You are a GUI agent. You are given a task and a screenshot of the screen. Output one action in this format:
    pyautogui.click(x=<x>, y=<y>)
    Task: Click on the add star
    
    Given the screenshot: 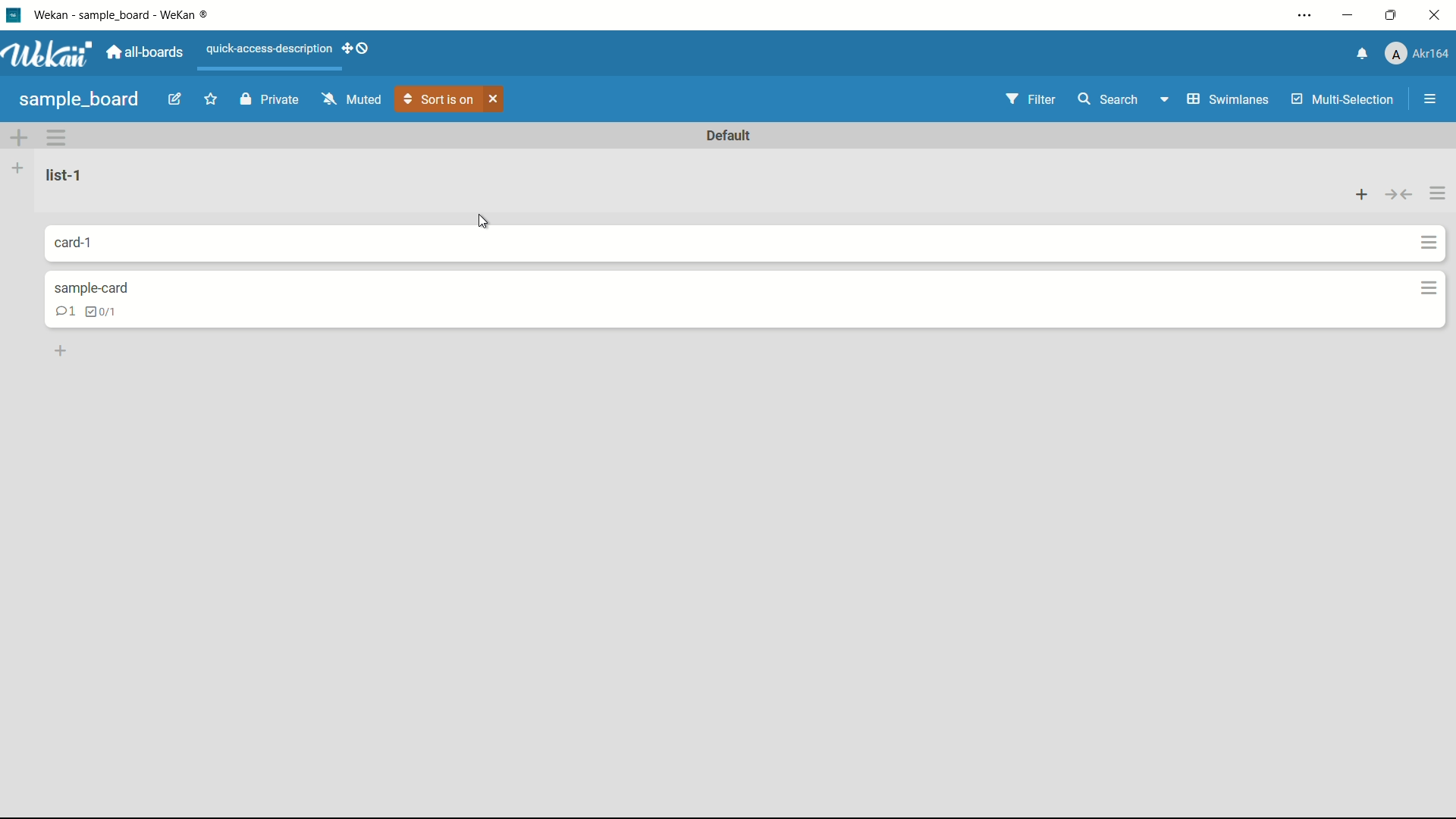 What is the action you would take?
    pyautogui.click(x=212, y=99)
    